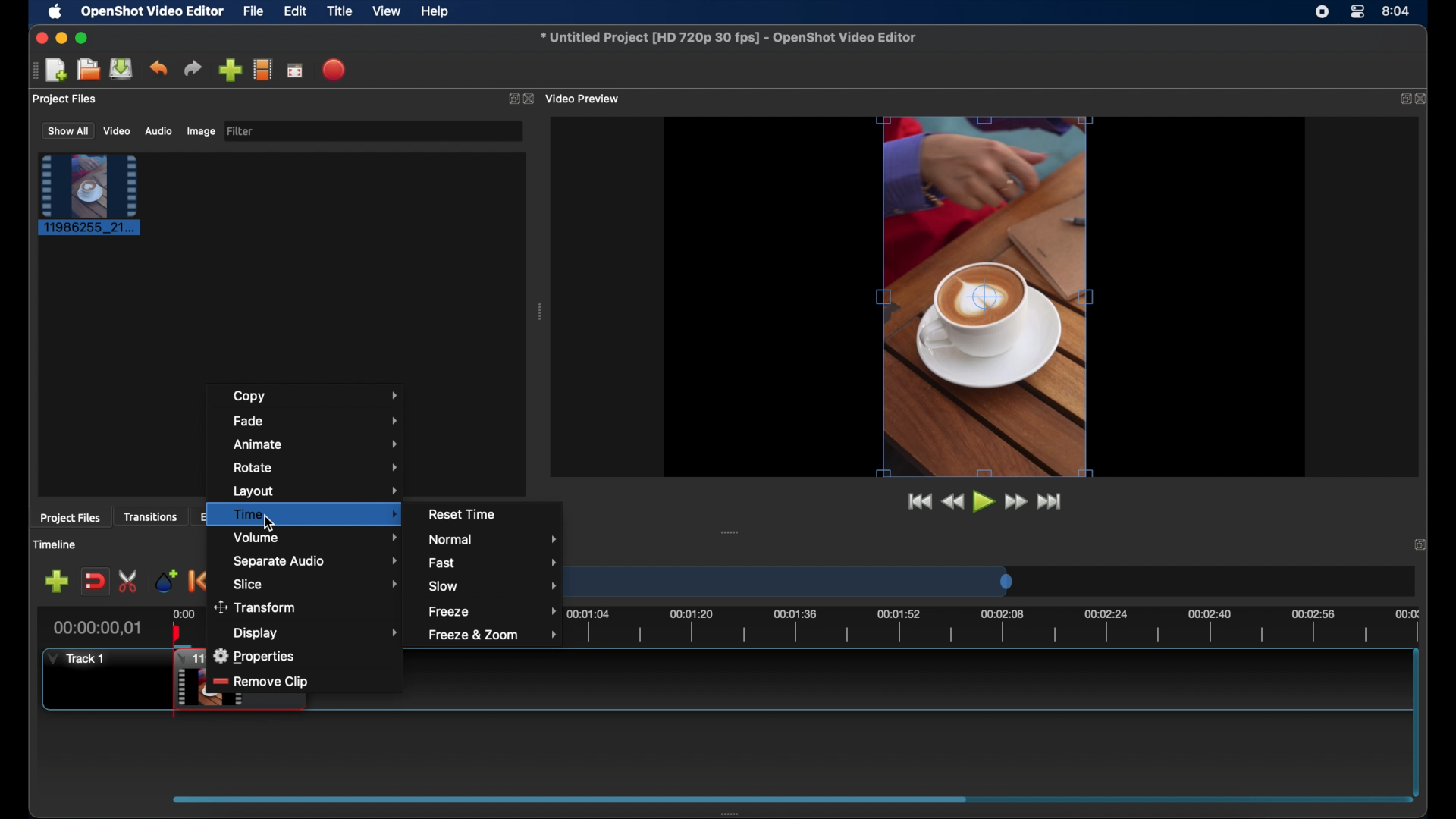  What do you see at coordinates (316, 397) in the screenshot?
I see `copy menu` at bounding box center [316, 397].